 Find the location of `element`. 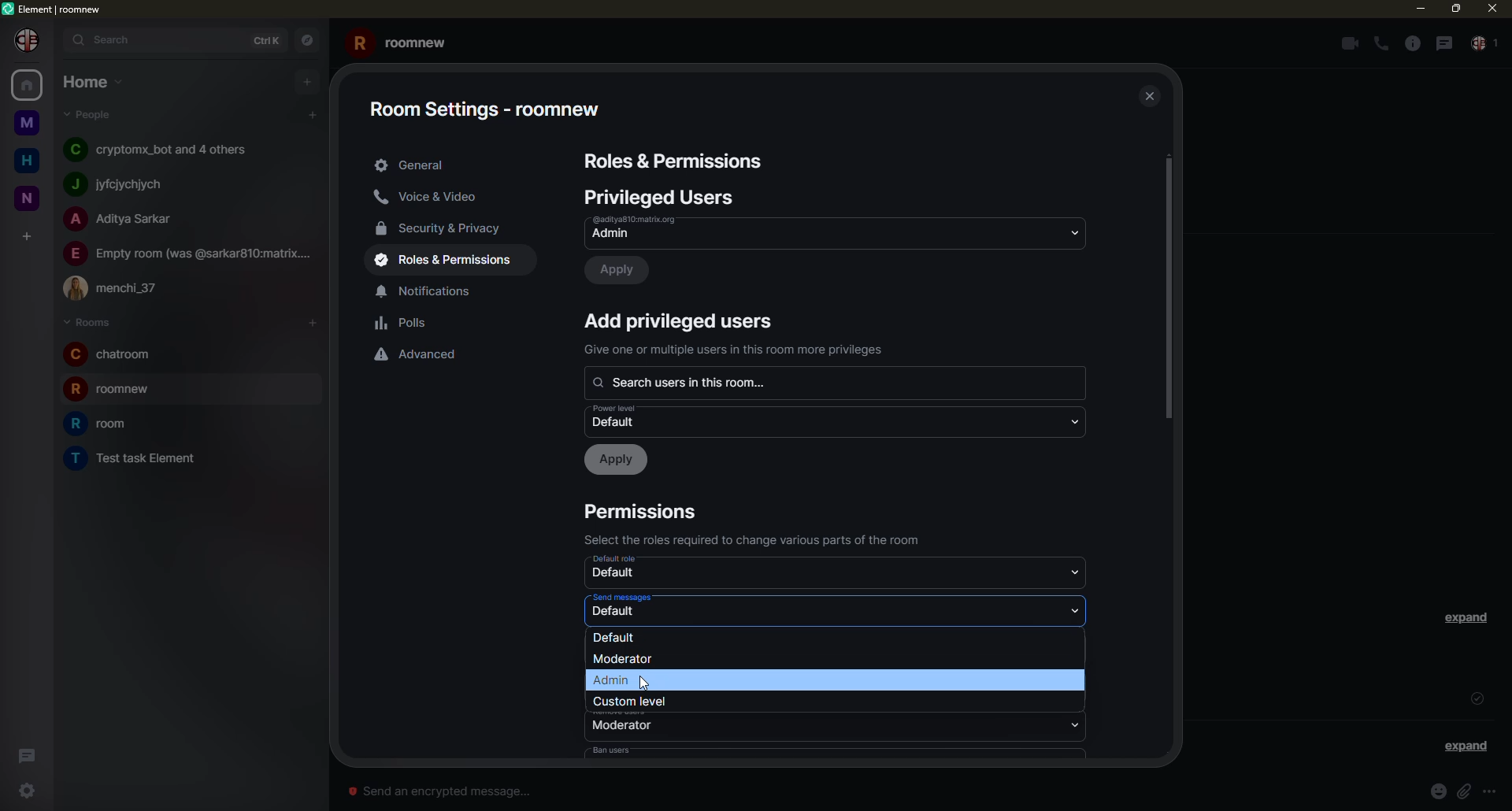

element is located at coordinates (54, 7).